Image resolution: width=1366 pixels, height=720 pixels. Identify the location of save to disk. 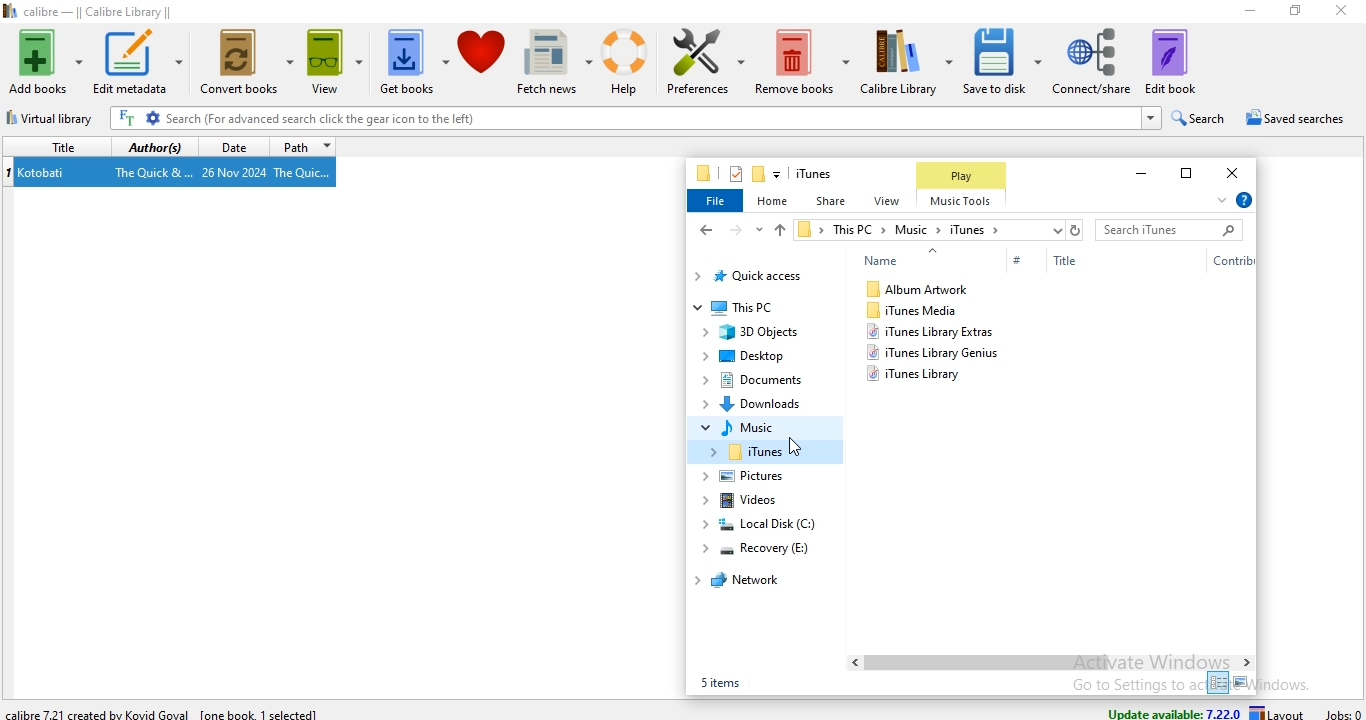
(1003, 60).